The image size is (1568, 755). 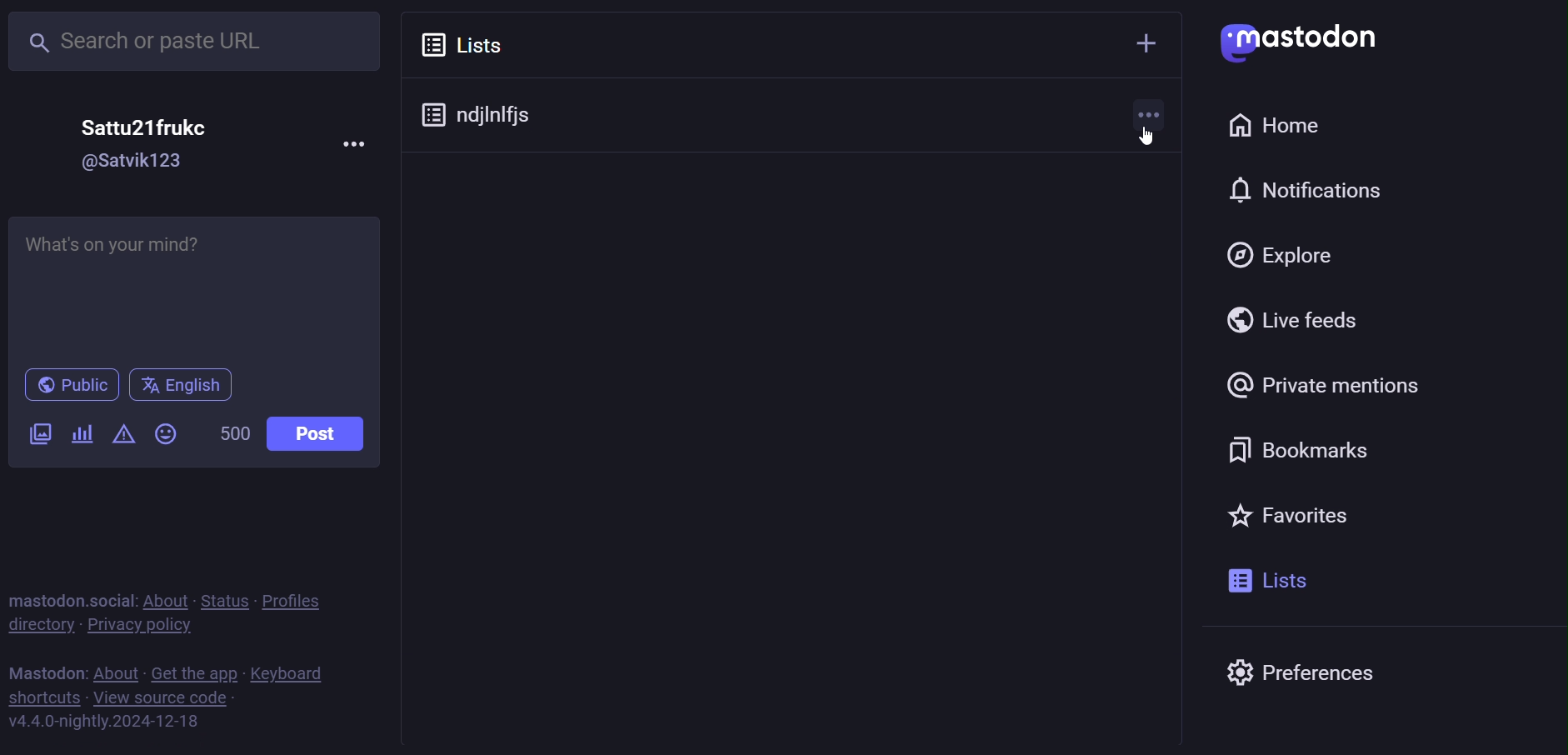 What do you see at coordinates (1305, 39) in the screenshot?
I see `Mastodon` at bounding box center [1305, 39].